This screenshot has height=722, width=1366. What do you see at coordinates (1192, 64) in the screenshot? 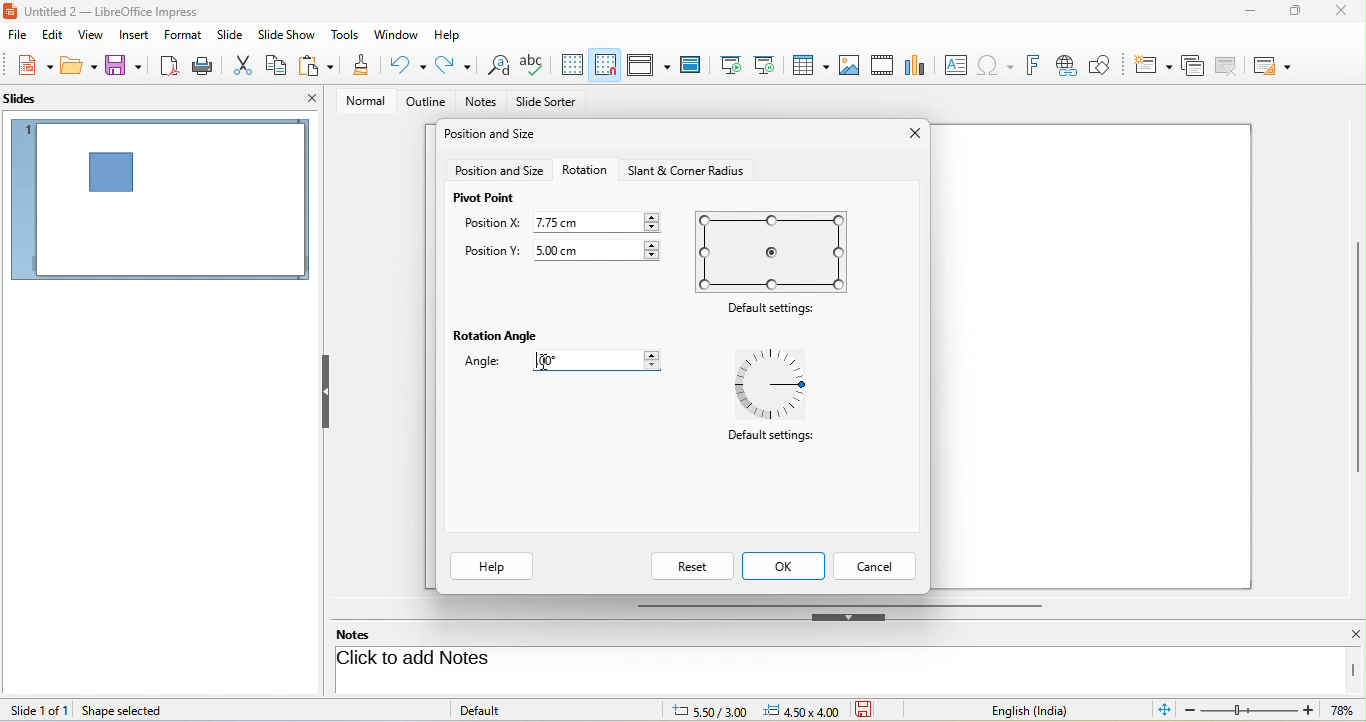
I see `duplicate slide` at bounding box center [1192, 64].